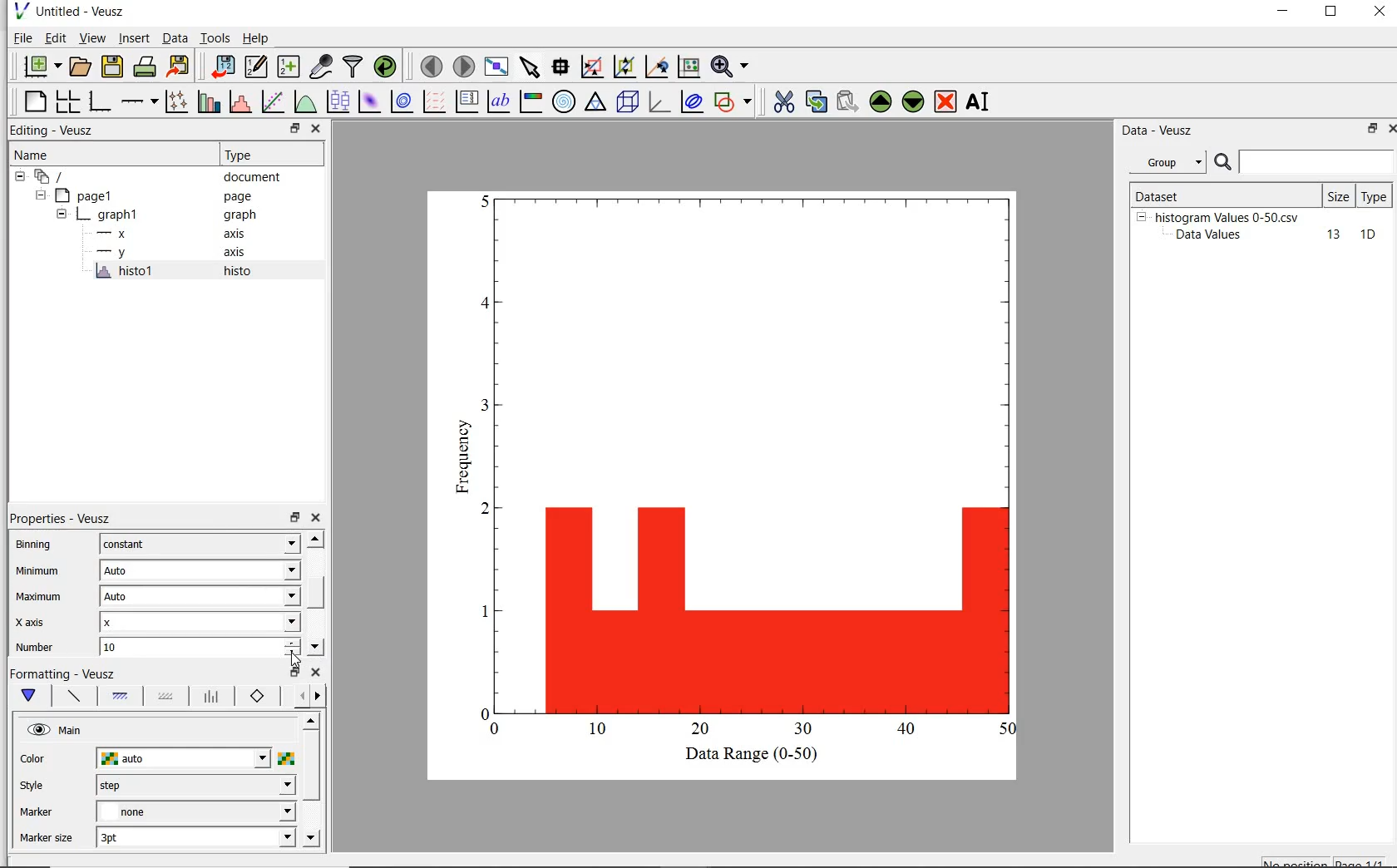 This screenshot has height=868, width=1397. I want to click on restore down, so click(1367, 130).